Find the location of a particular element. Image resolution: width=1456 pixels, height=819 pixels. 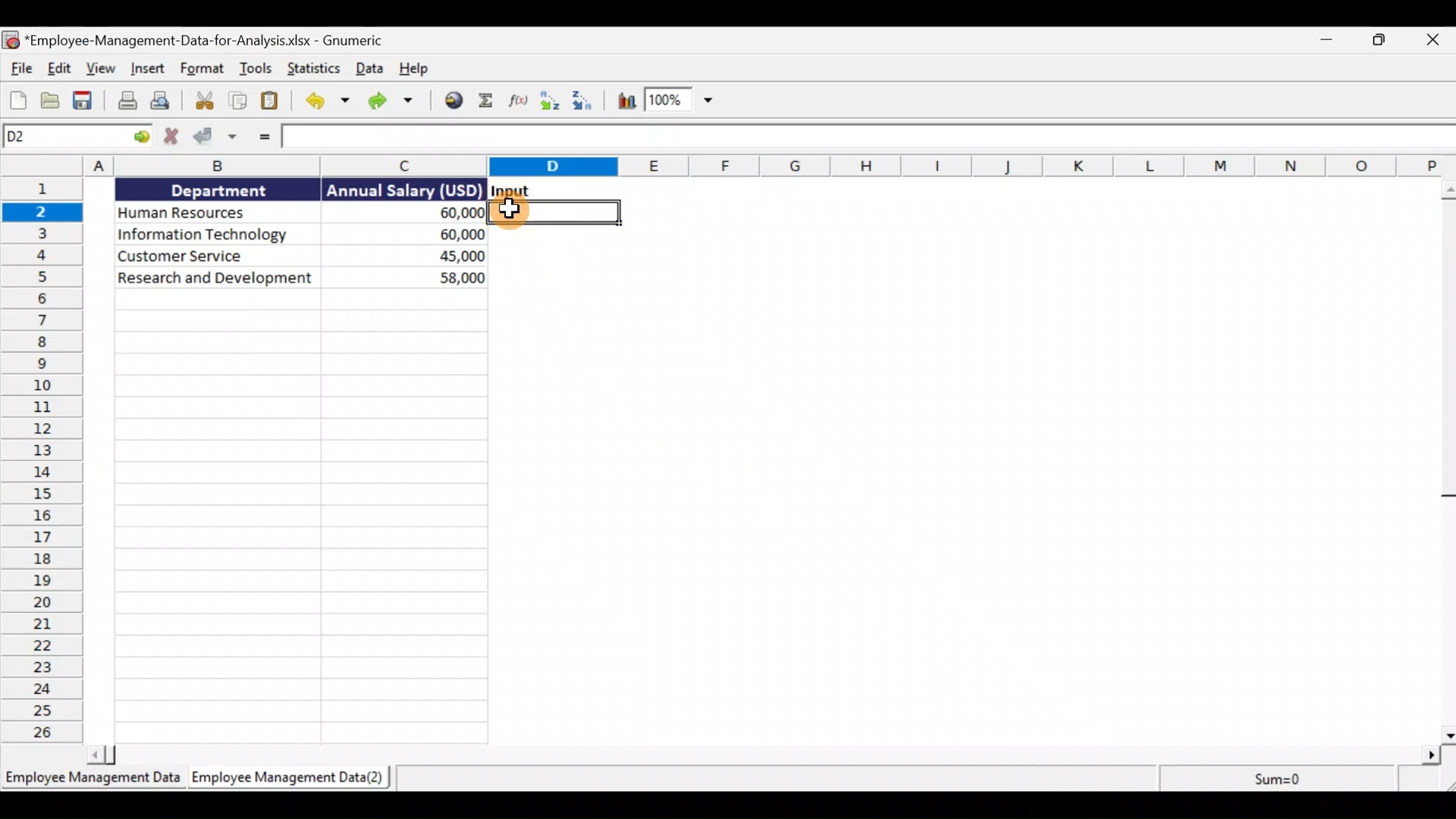

Tools is located at coordinates (260, 68).